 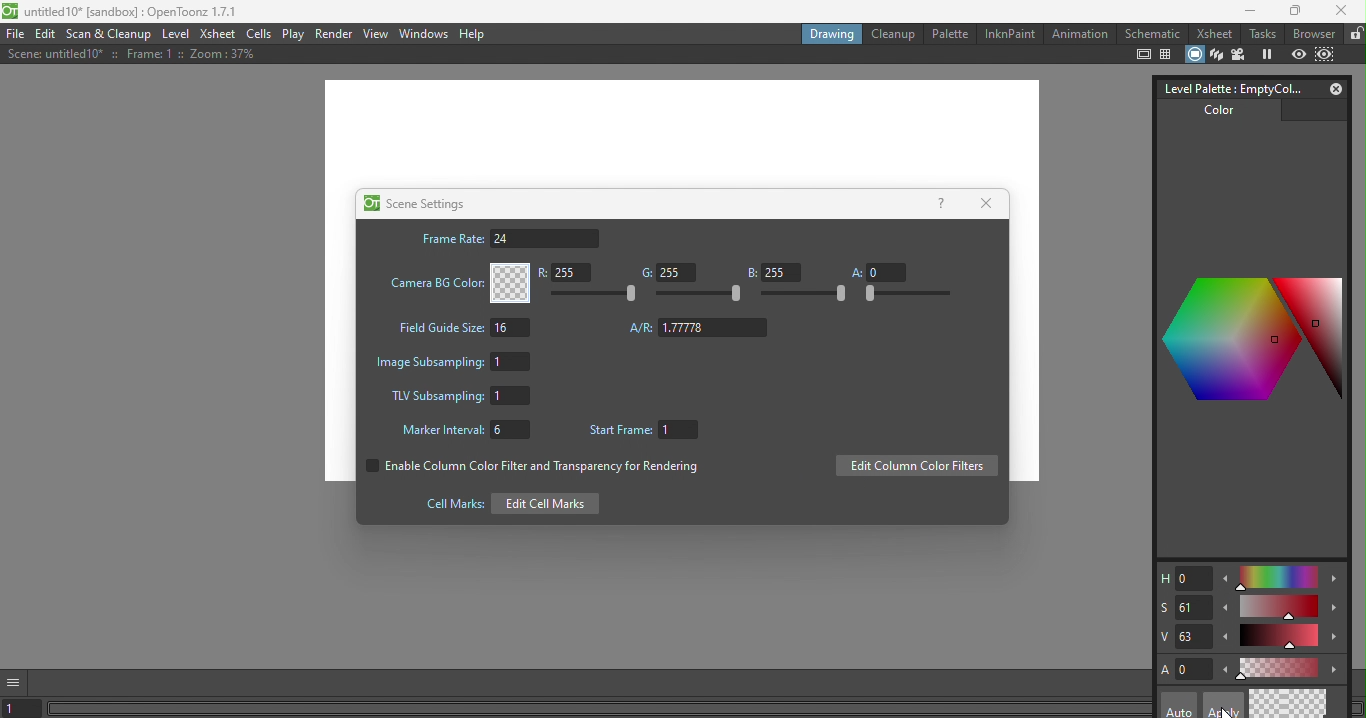 What do you see at coordinates (124, 13) in the screenshot?
I see `File name` at bounding box center [124, 13].